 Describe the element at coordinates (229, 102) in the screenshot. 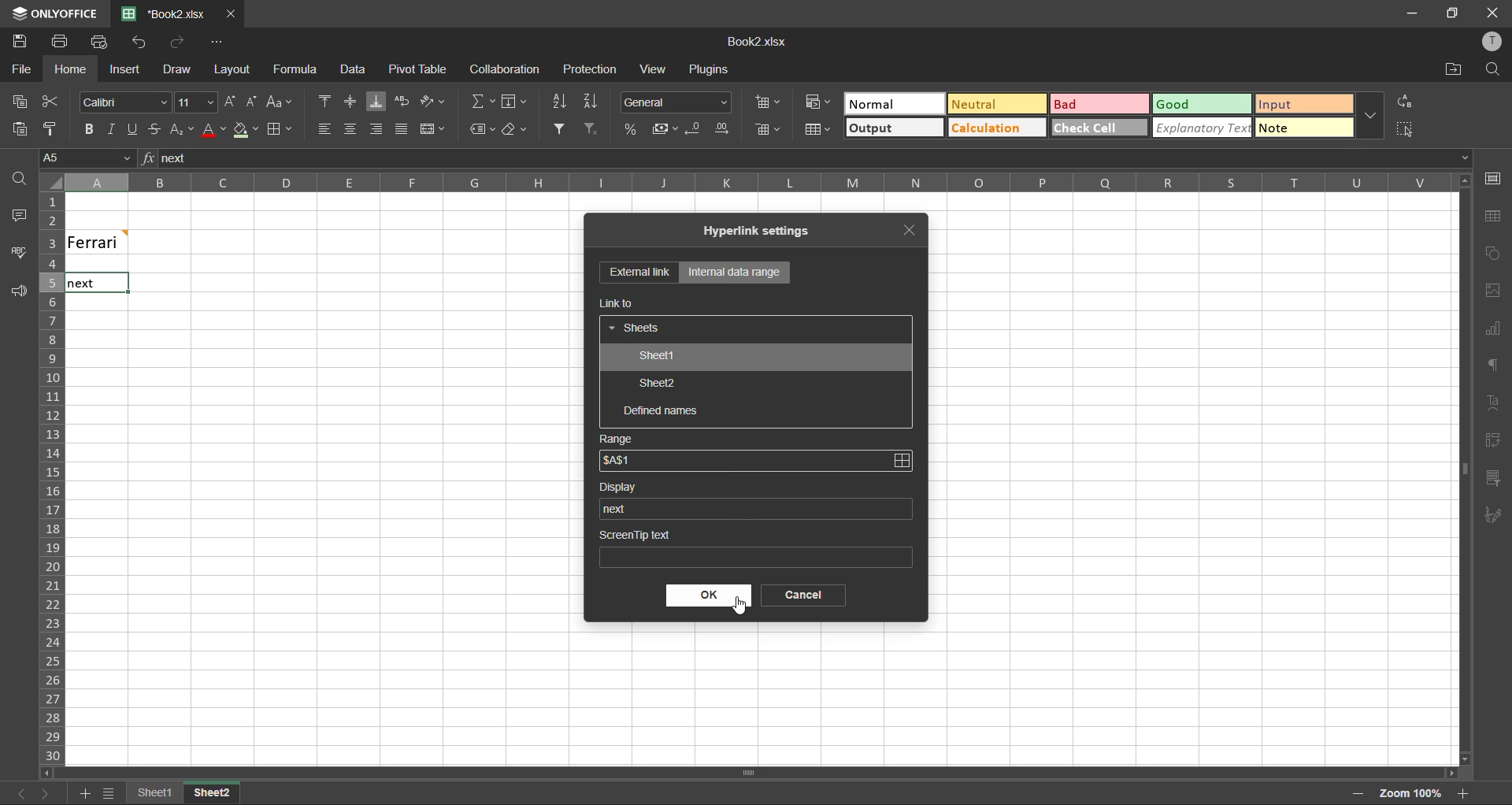

I see `increment size` at that location.